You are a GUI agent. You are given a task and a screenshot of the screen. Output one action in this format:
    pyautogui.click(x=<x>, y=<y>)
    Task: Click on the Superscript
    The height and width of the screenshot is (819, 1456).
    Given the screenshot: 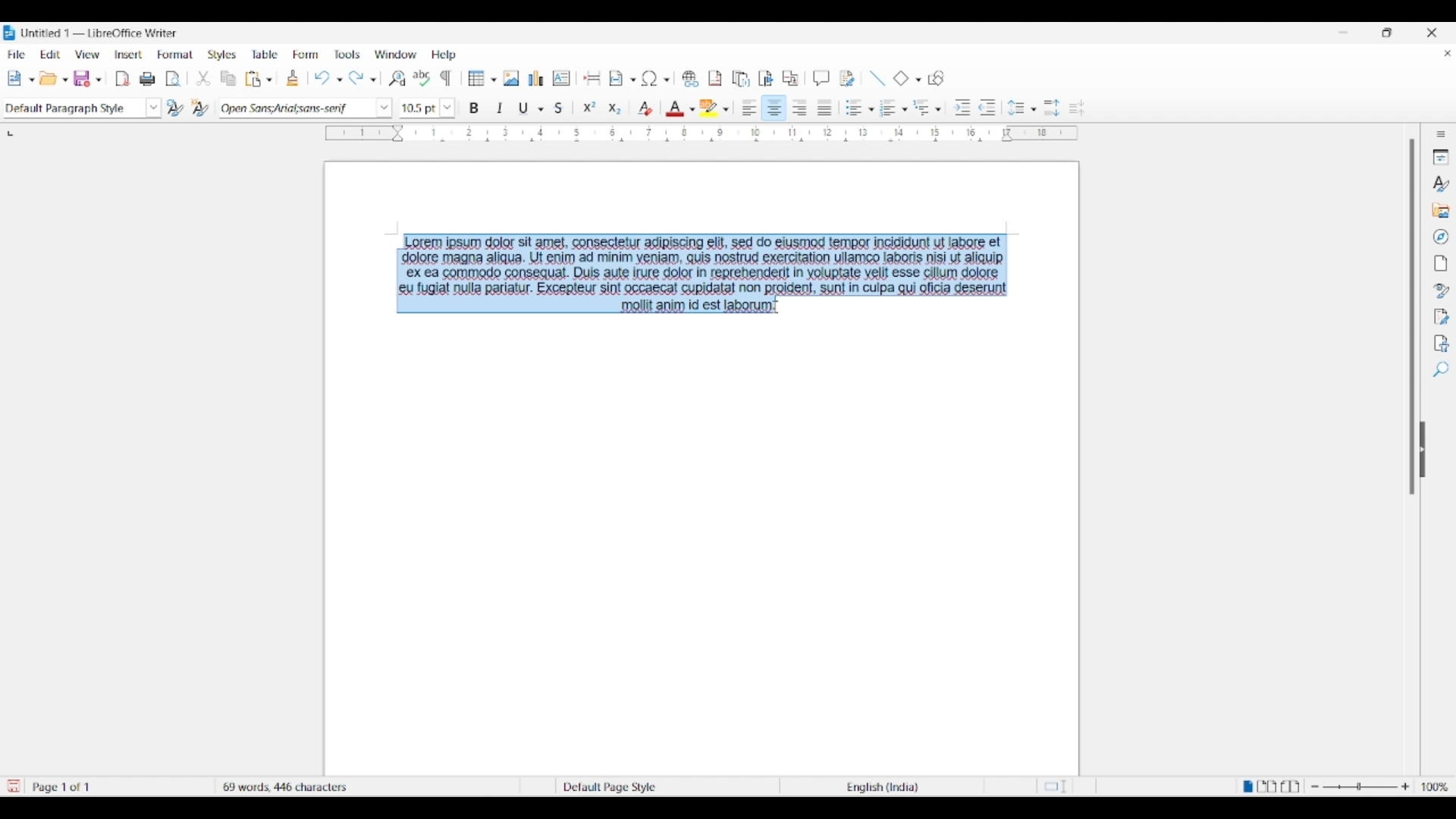 What is the action you would take?
    pyautogui.click(x=589, y=108)
    